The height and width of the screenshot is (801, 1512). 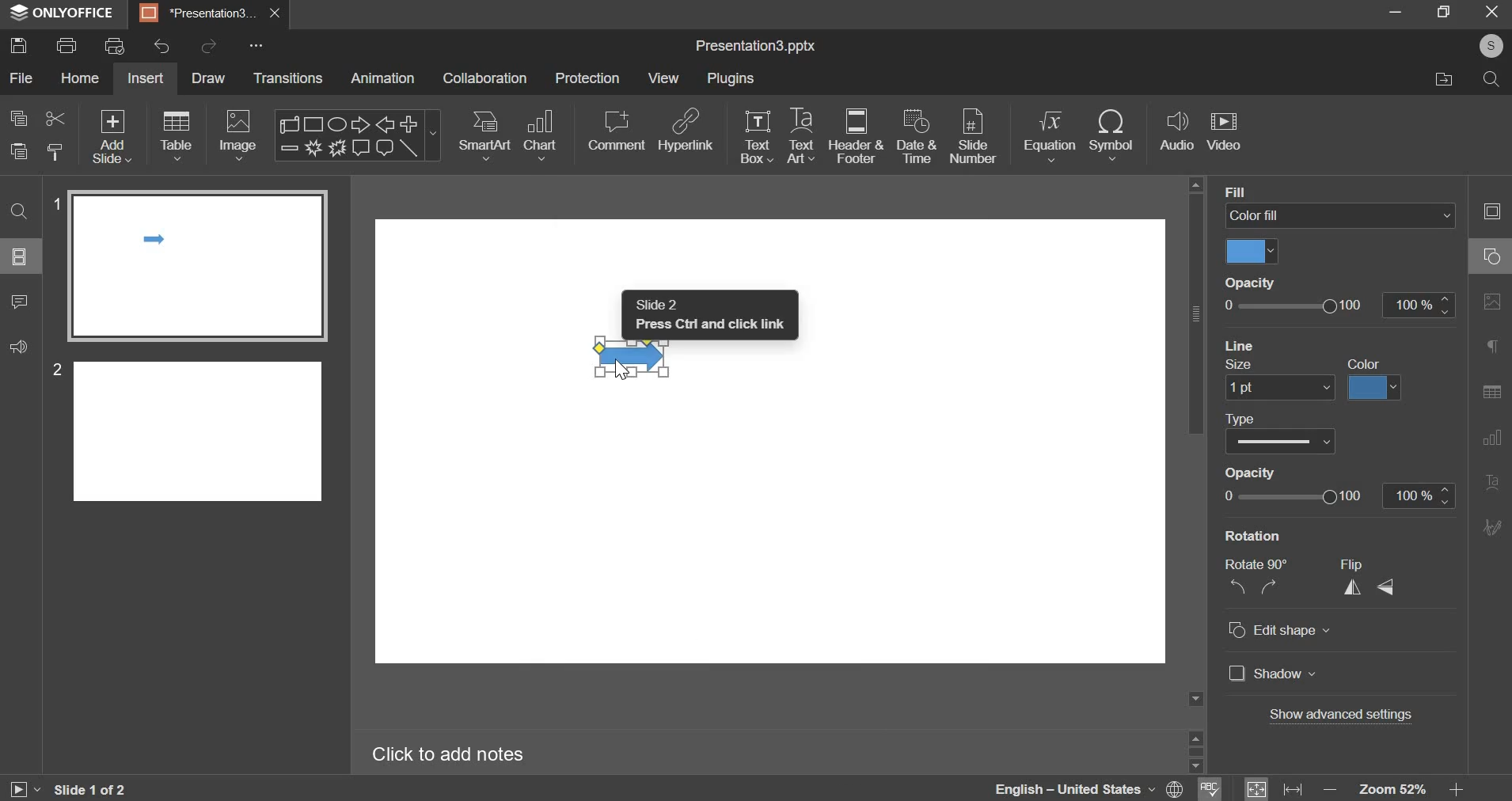 I want to click on plus, so click(x=409, y=123).